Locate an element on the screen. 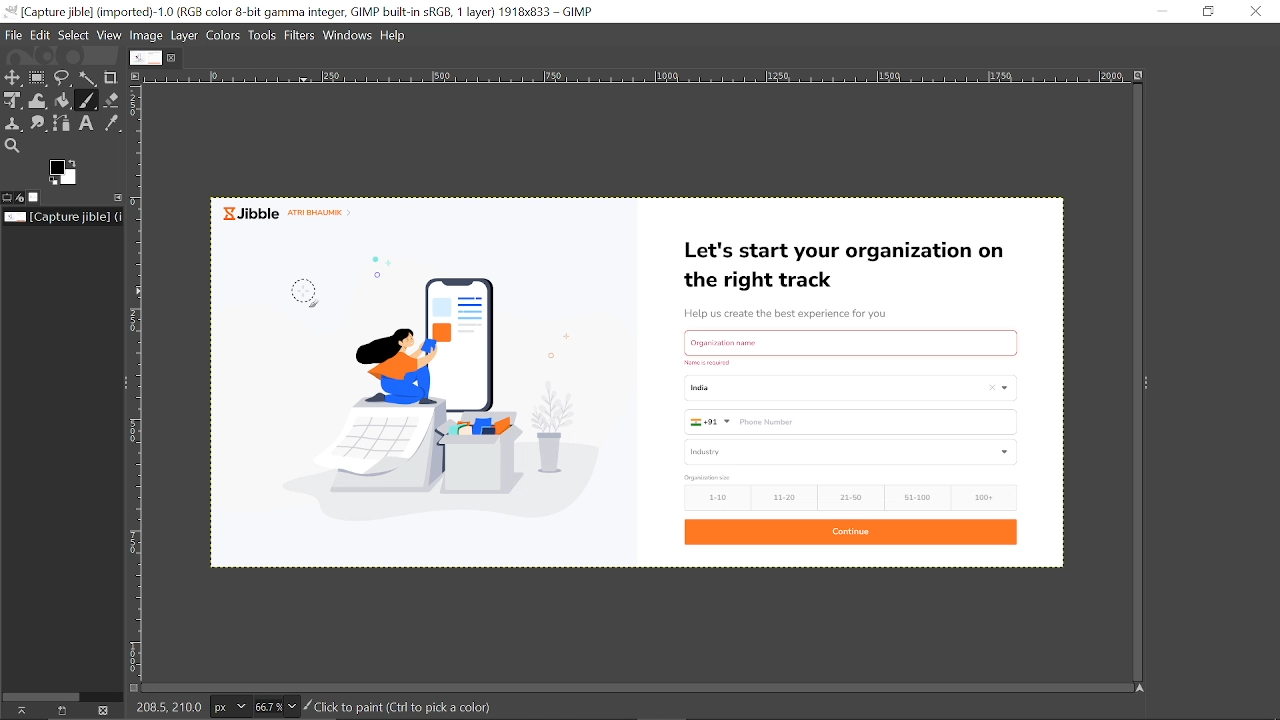  Colors is located at coordinates (225, 36).